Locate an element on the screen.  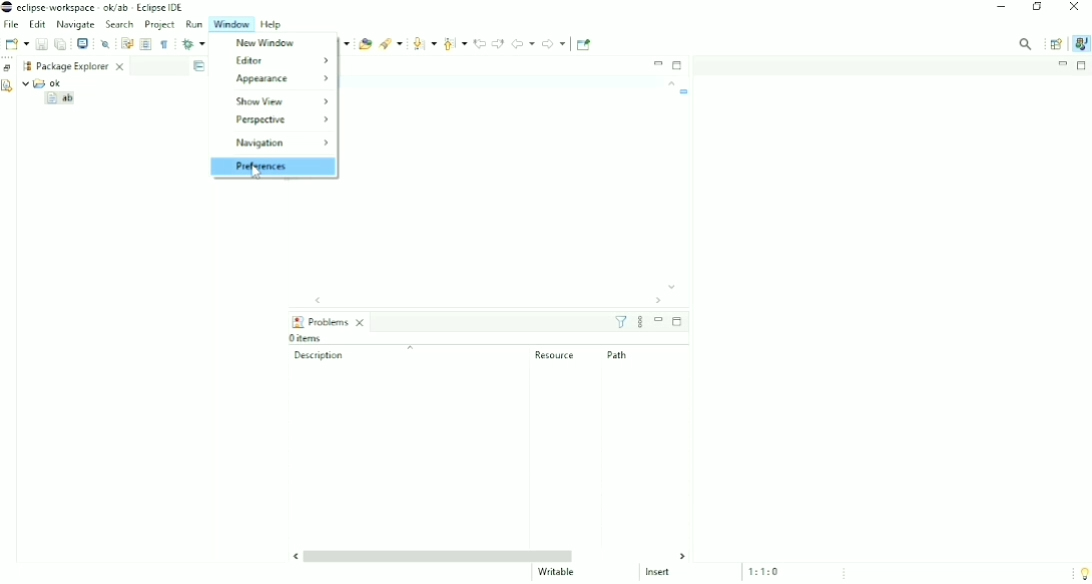
Help is located at coordinates (272, 24).